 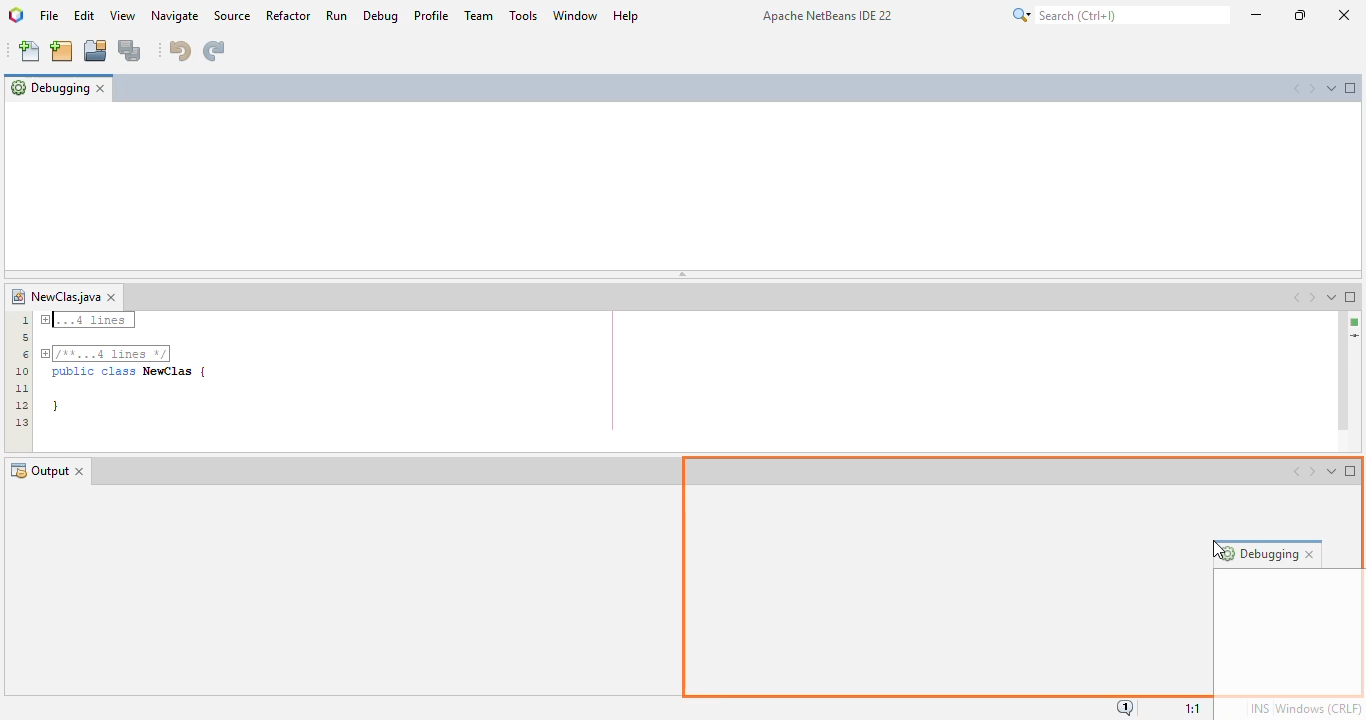 I want to click on close, so click(x=1343, y=15).